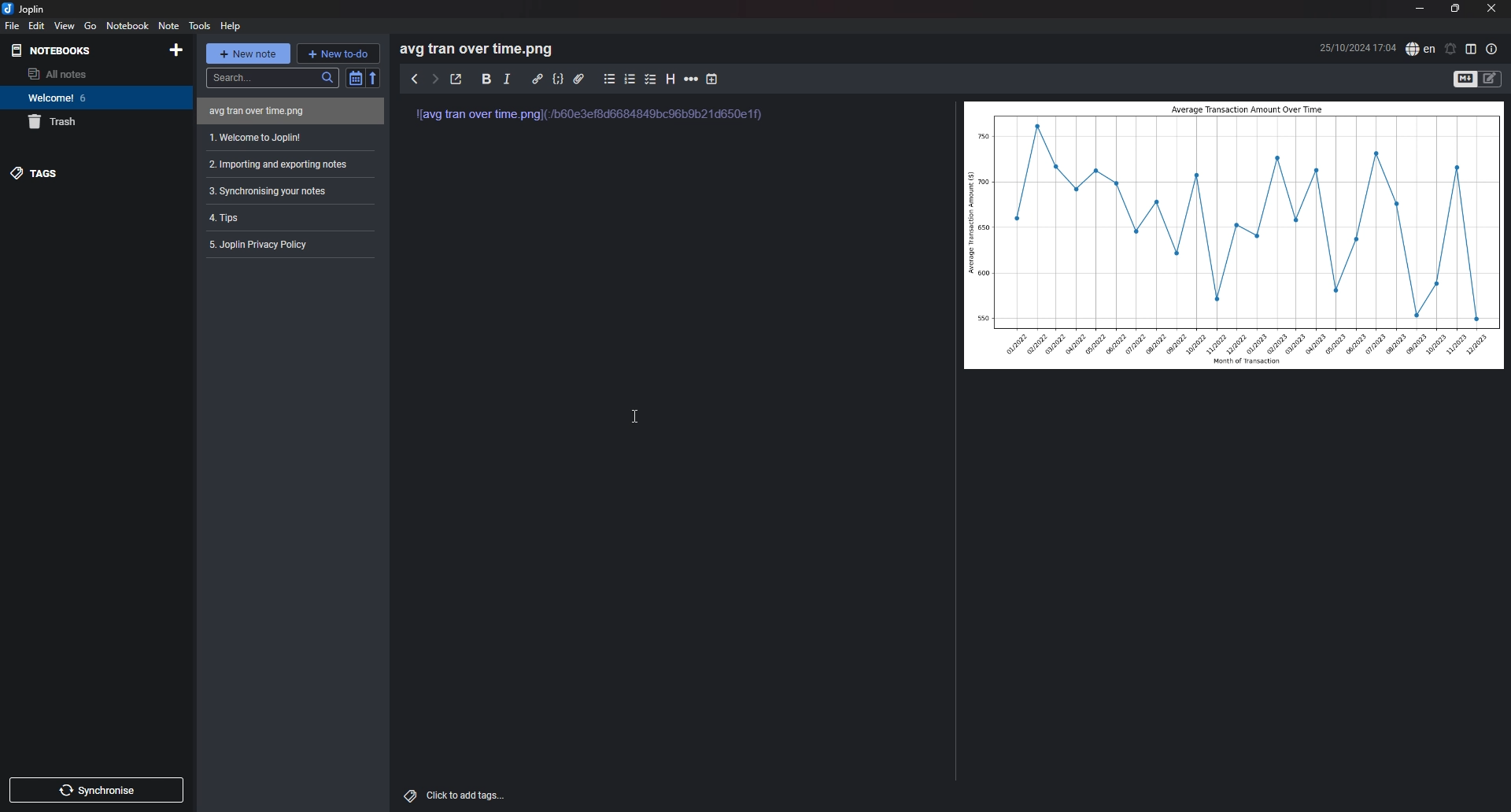  I want to click on forward, so click(435, 79).